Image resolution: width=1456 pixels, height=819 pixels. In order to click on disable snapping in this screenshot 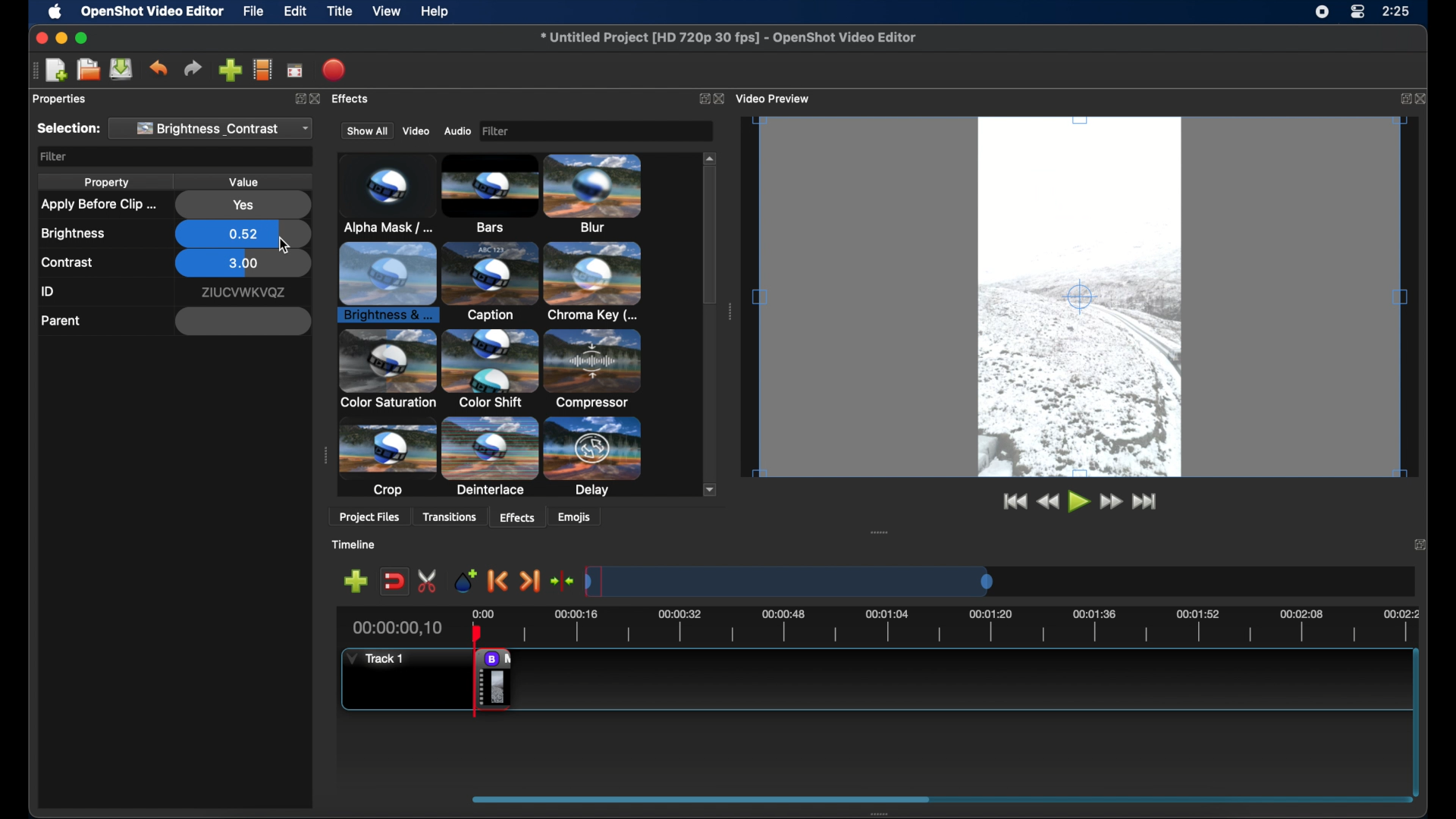, I will do `click(390, 582)`.